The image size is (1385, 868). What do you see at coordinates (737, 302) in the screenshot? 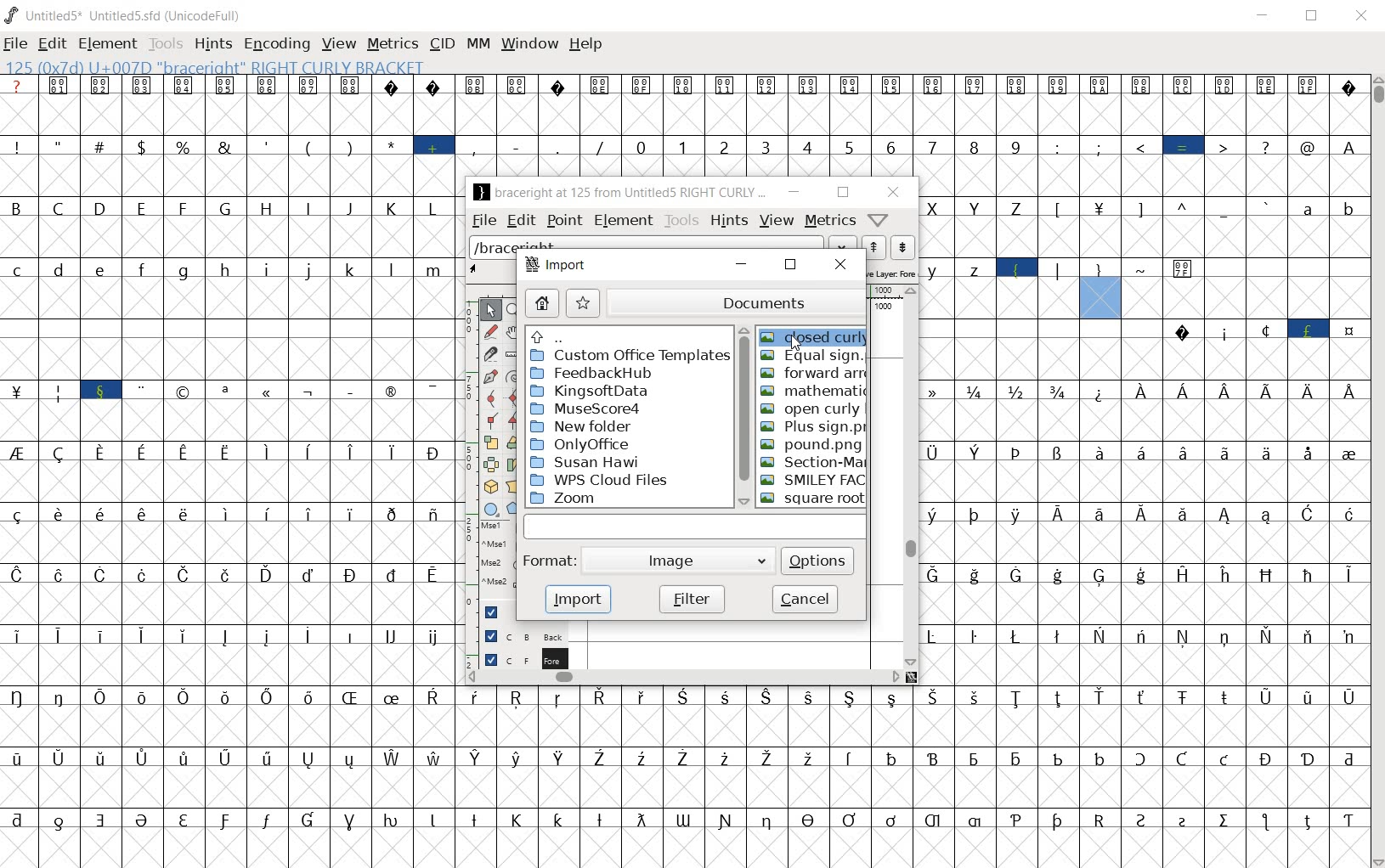
I see `documents` at bounding box center [737, 302].